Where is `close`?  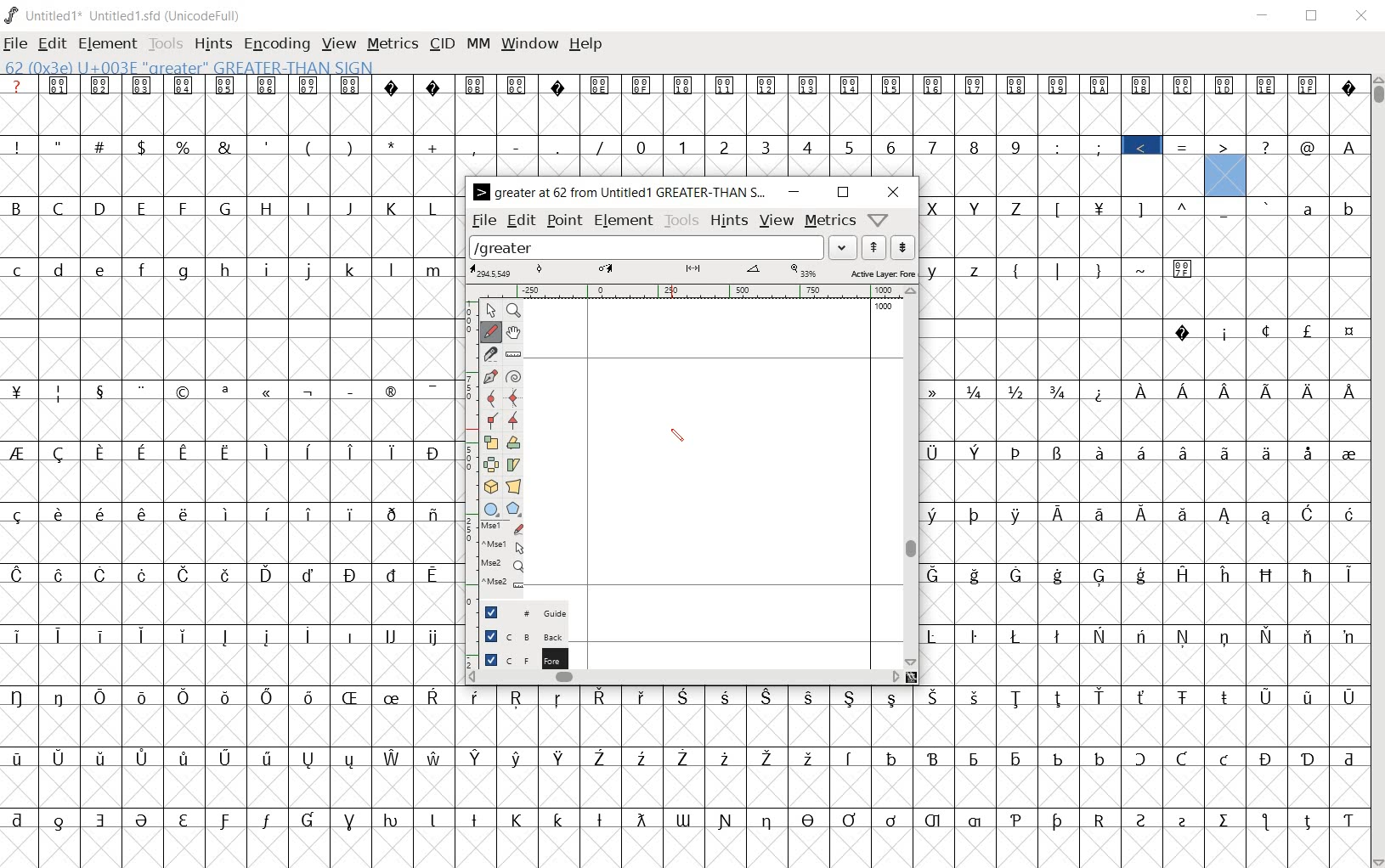
close is located at coordinates (1360, 15).